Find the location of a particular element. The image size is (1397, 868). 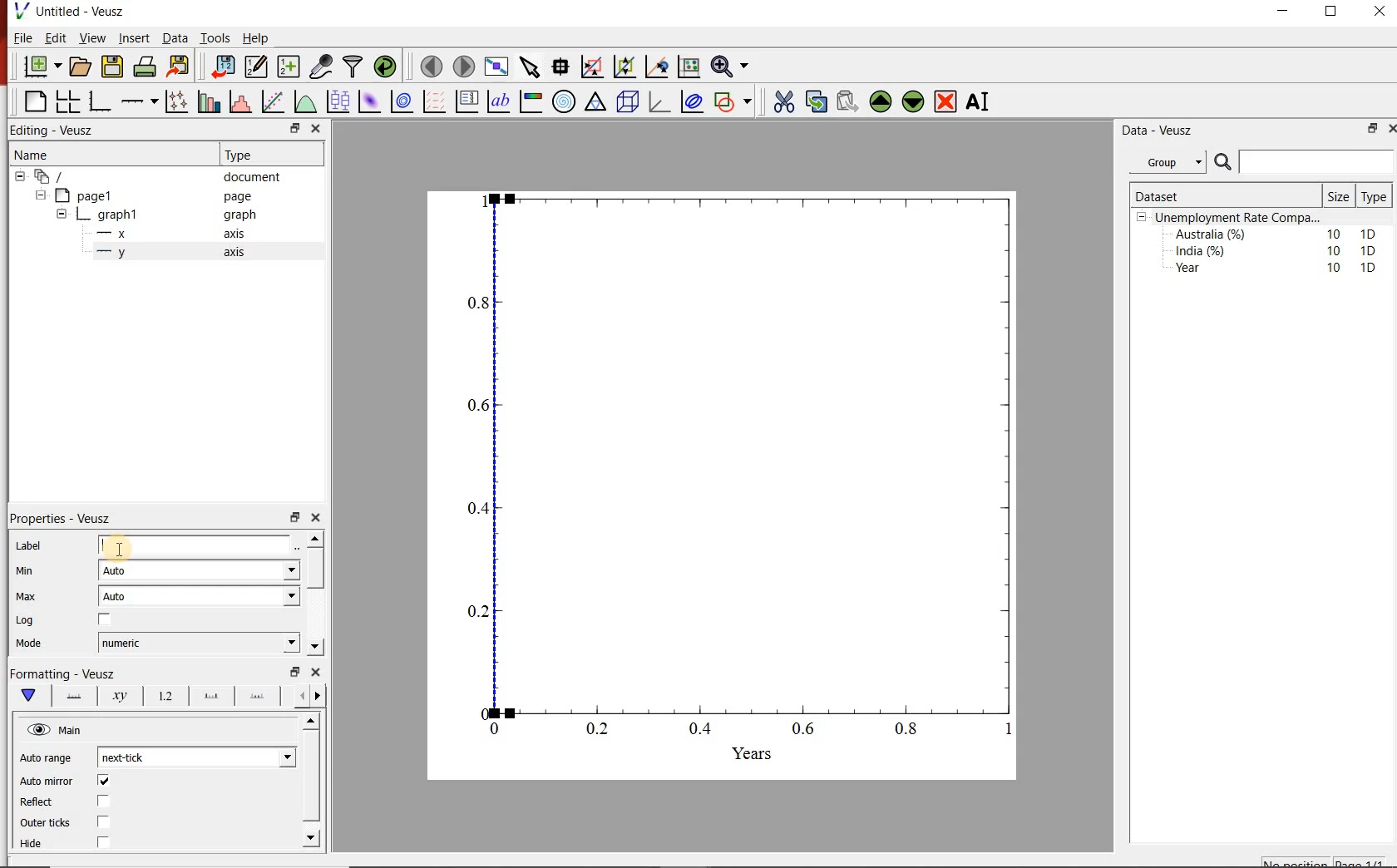

copy the widgets is located at coordinates (815, 101).